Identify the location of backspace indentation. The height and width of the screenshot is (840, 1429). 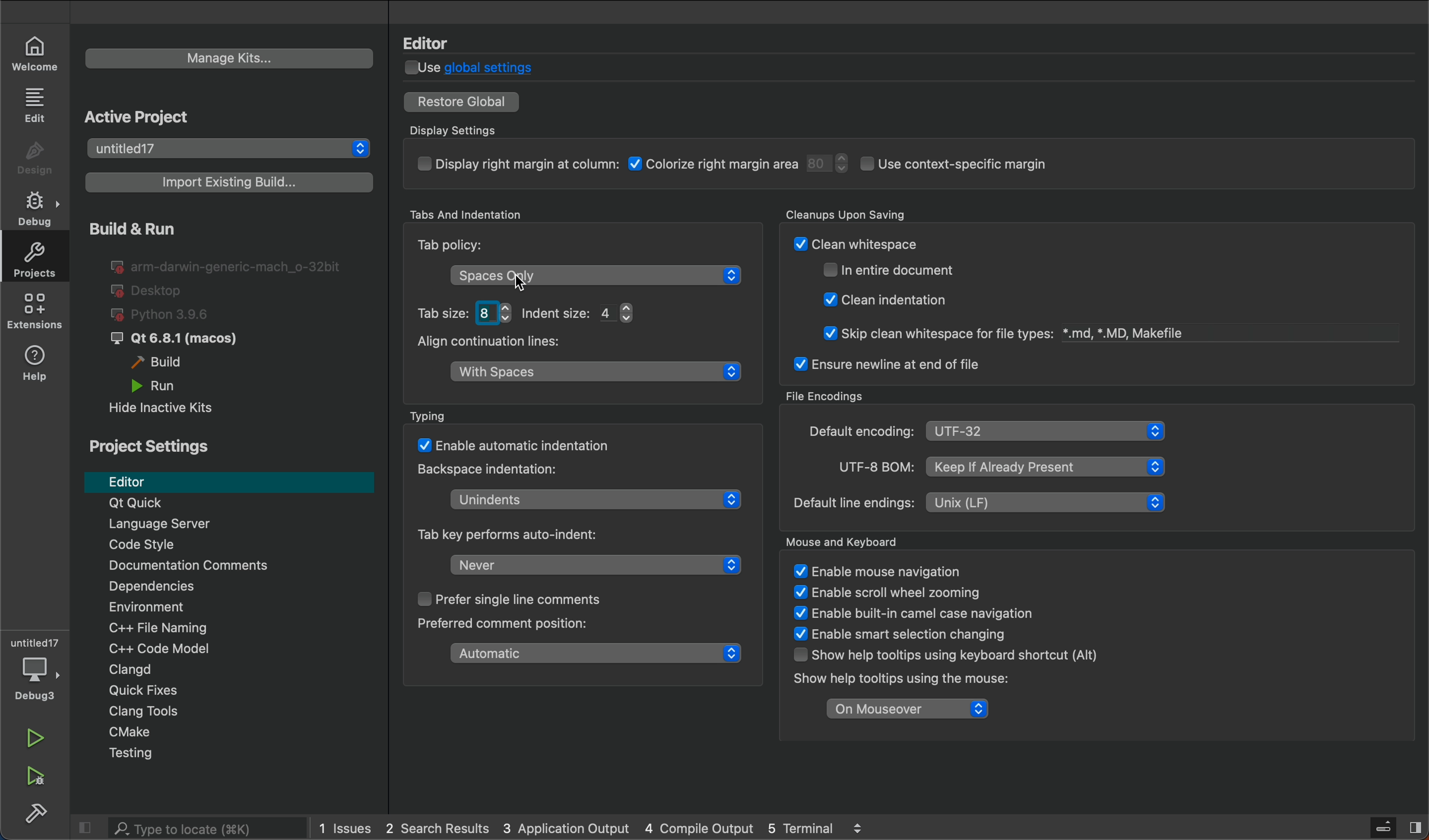
(495, 470).